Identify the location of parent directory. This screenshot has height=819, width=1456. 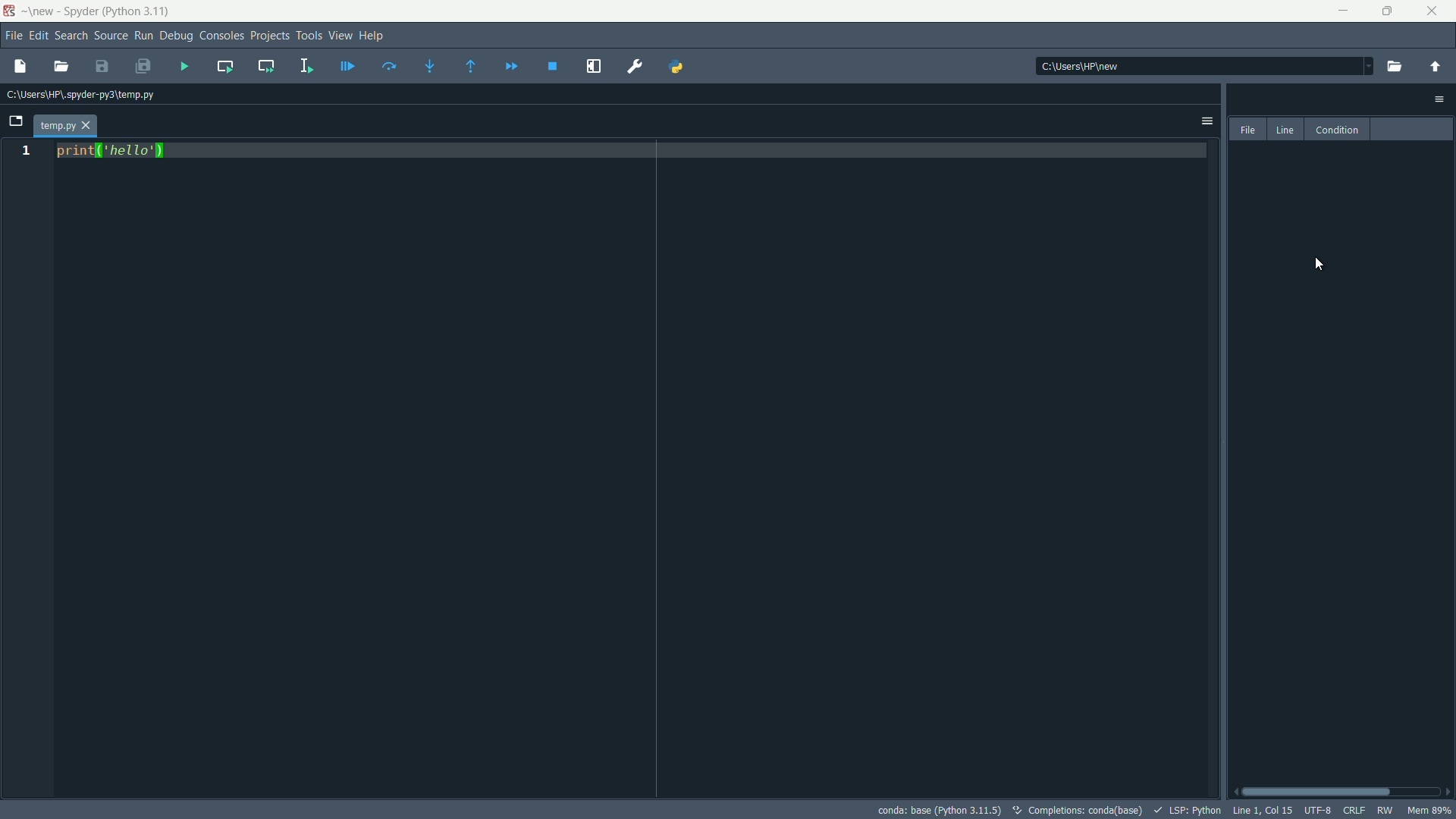
(1436, 67).